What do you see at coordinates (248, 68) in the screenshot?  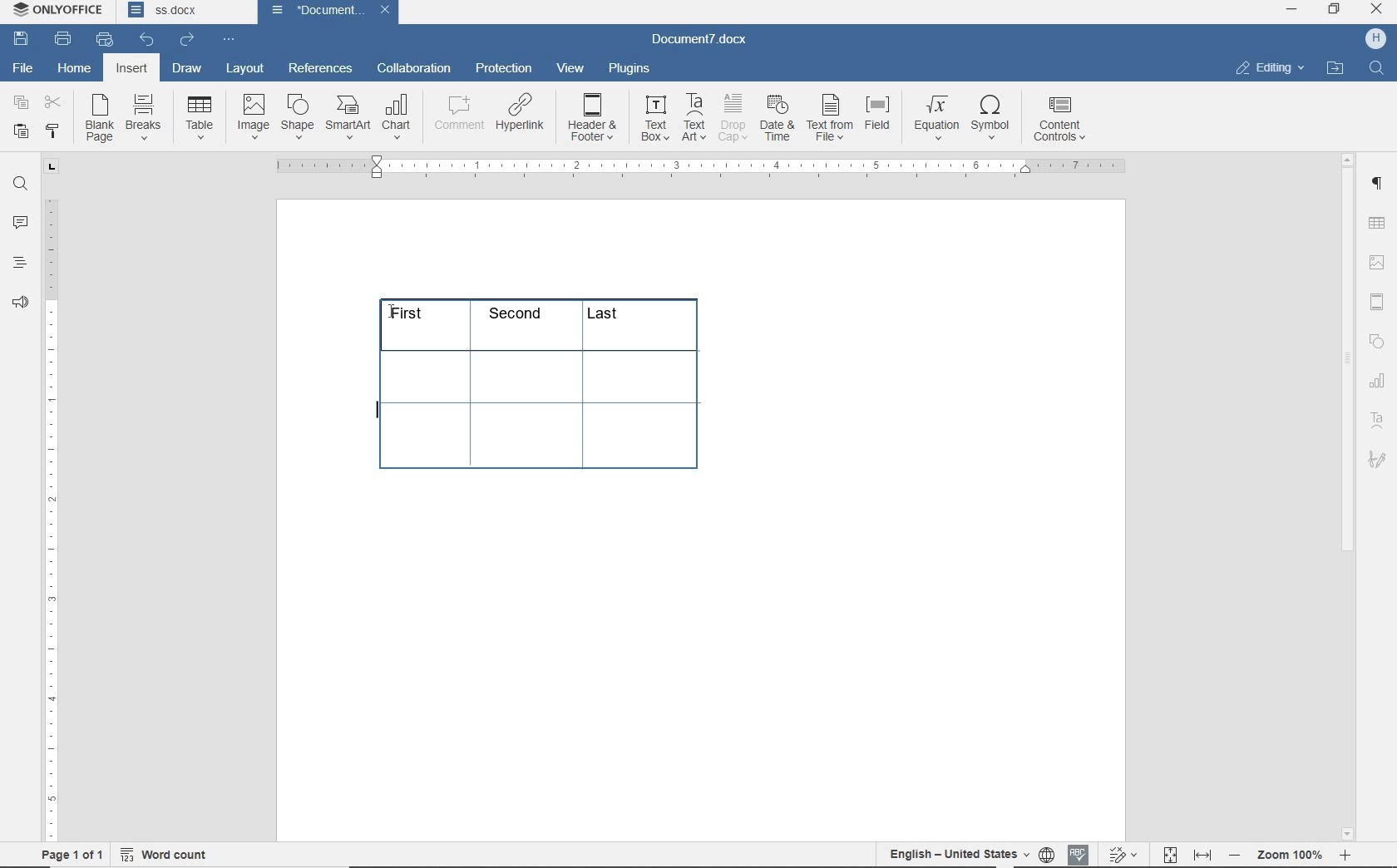 I see `layout` at bounding box center [248, 68].